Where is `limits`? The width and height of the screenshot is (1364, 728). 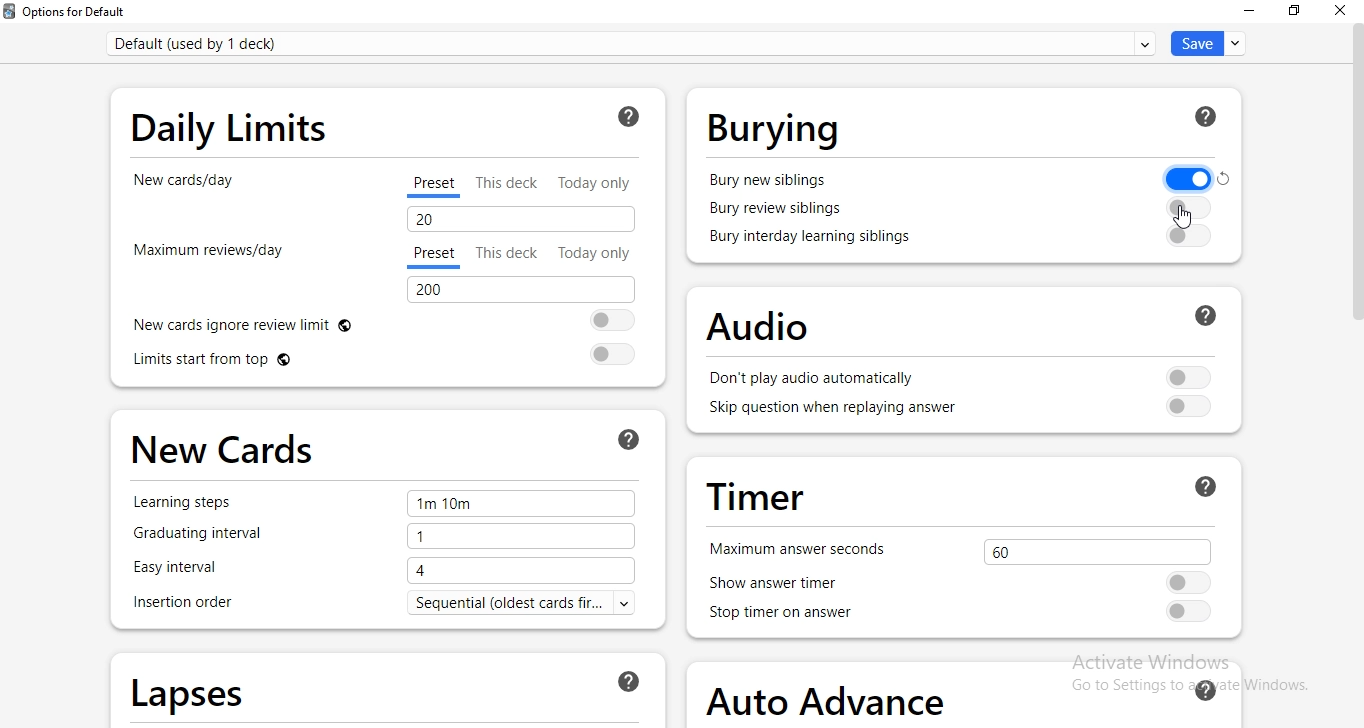
limits is located at coordinates (263, 362).